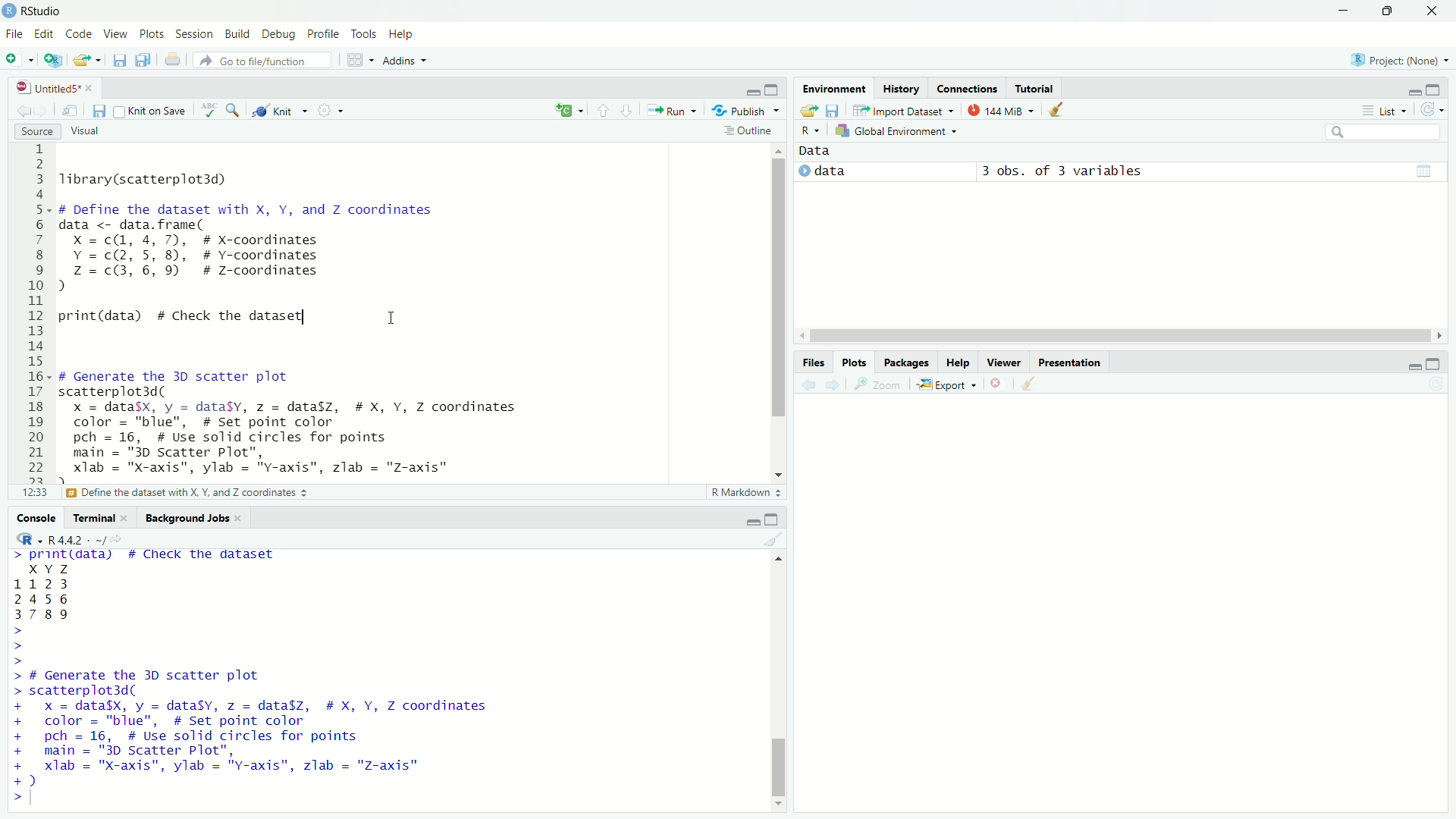  What do you see at coordinates (44, 111) in the screenshot?
I see `go forward to the next source location` at bounding box center [44, 111].